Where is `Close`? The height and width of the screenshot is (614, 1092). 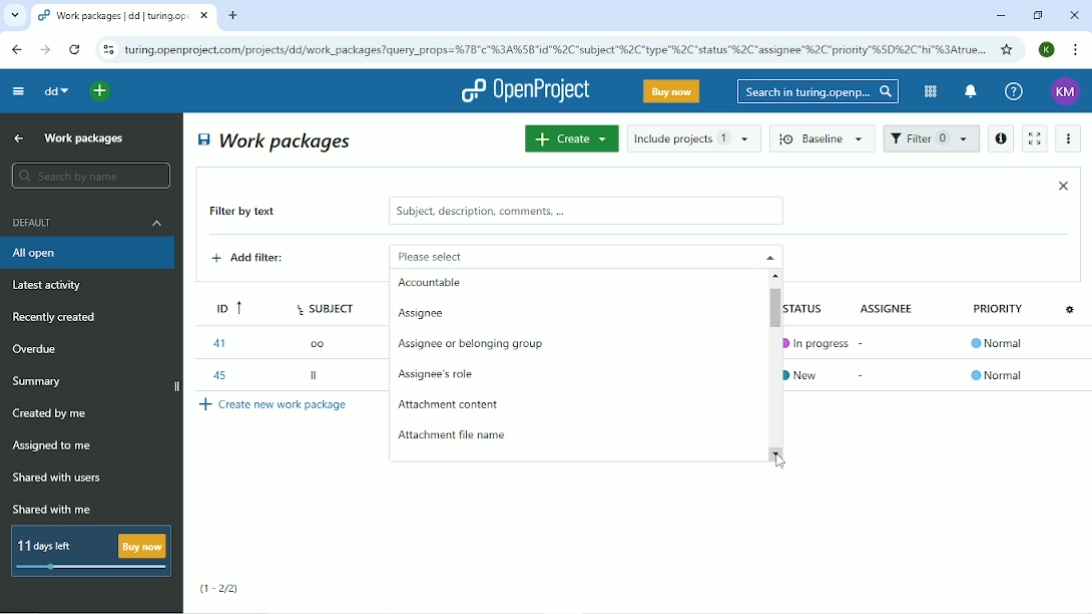 Close is located at coordinates (1074, 15).